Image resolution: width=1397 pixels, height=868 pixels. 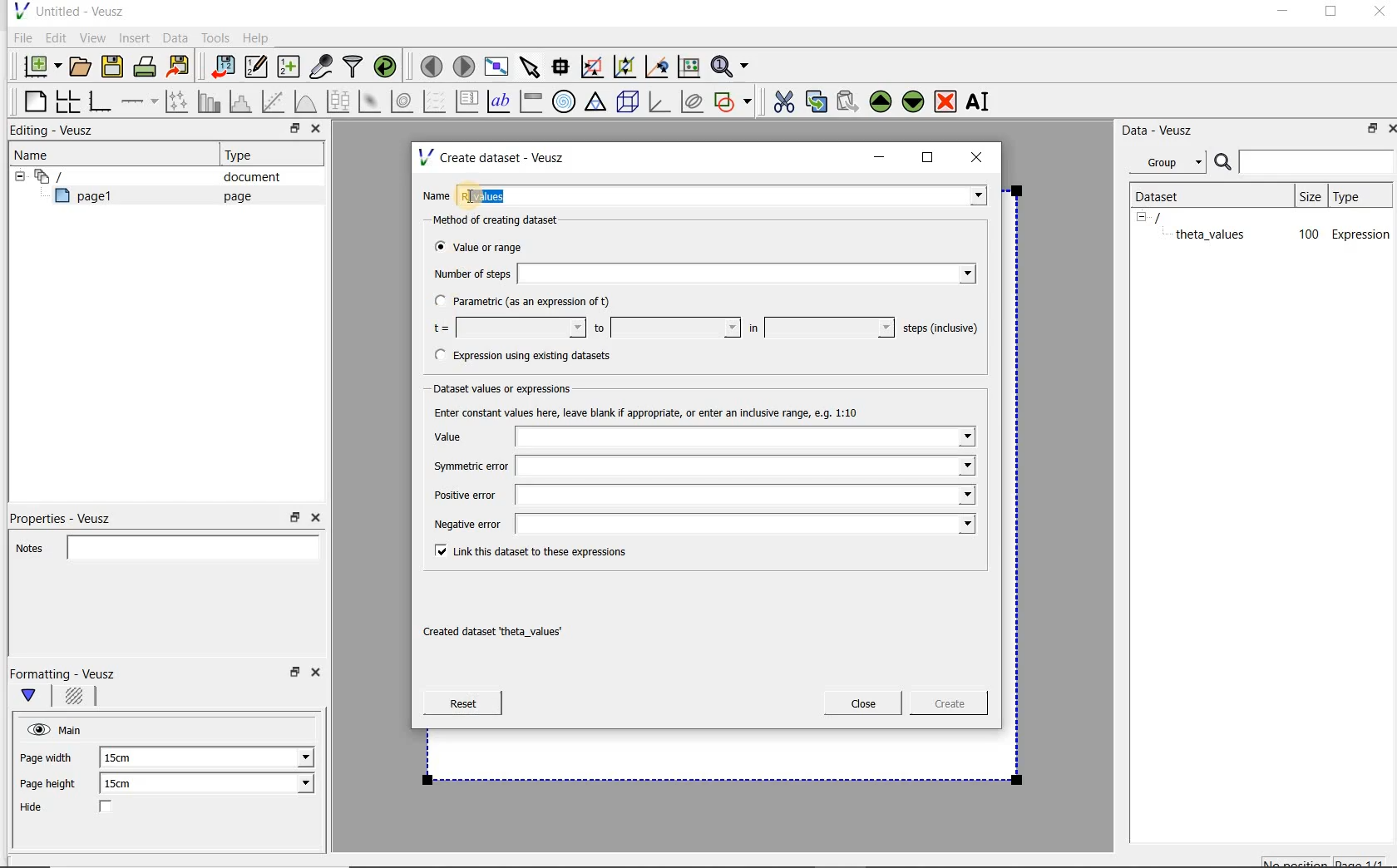 What do you see at coordinates (462, 703) in the screenshot?
I see `Reset` at bounding box center [462, 703].